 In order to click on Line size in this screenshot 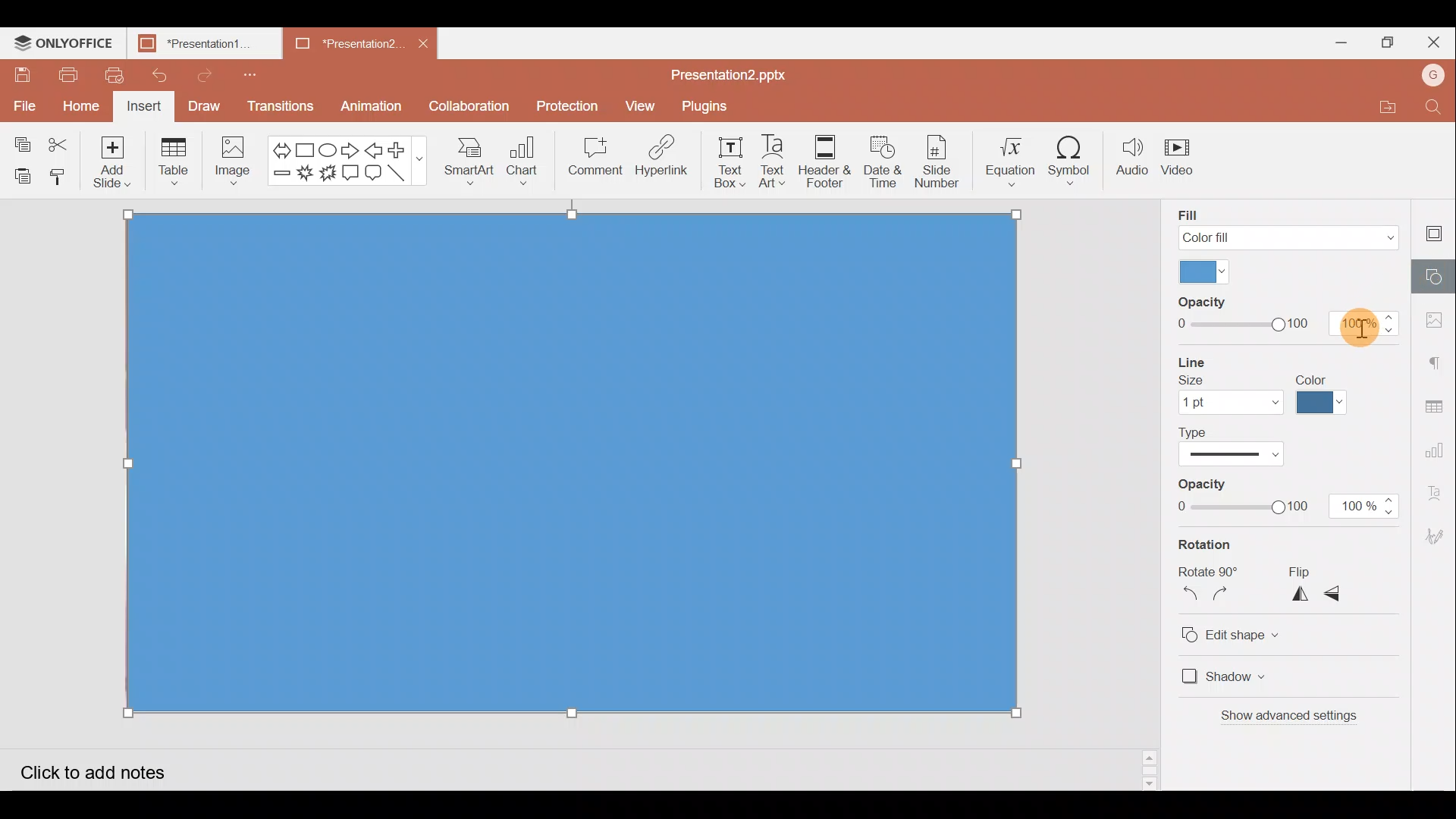, I will do `click(1230, 387)`.